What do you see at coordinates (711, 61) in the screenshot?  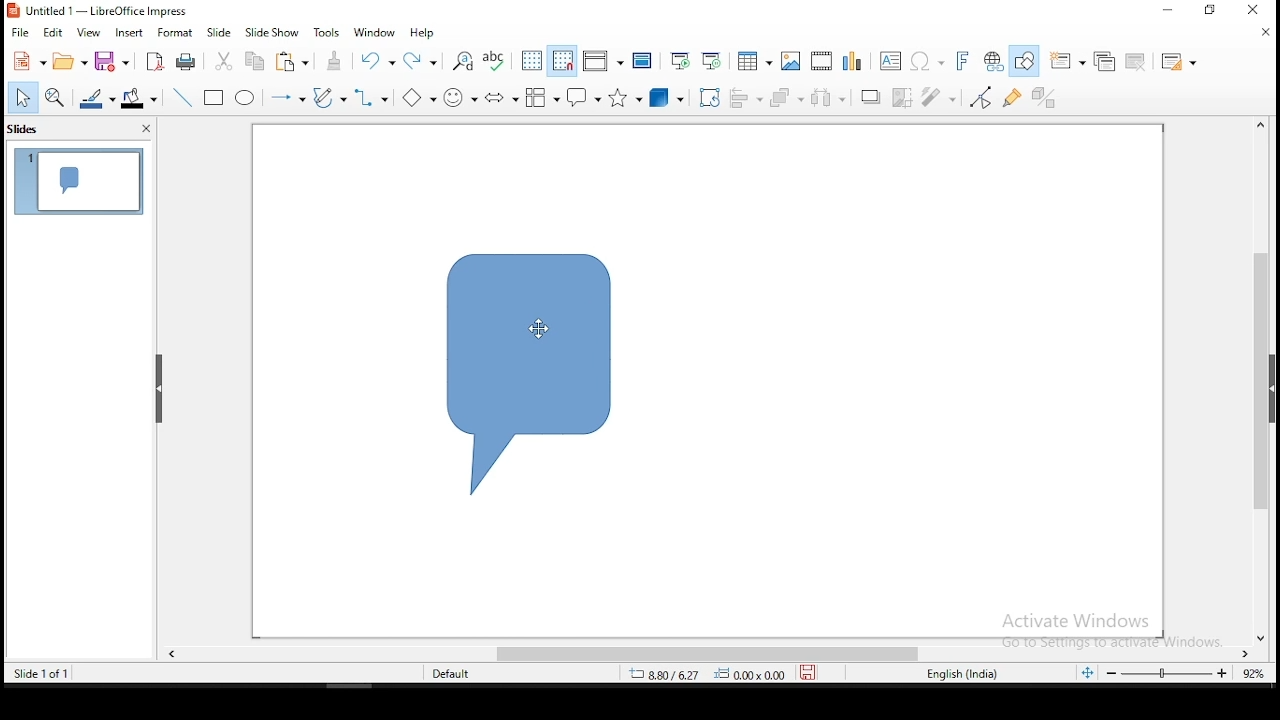 I see `start from current slide` at bounding box center [711, 61].